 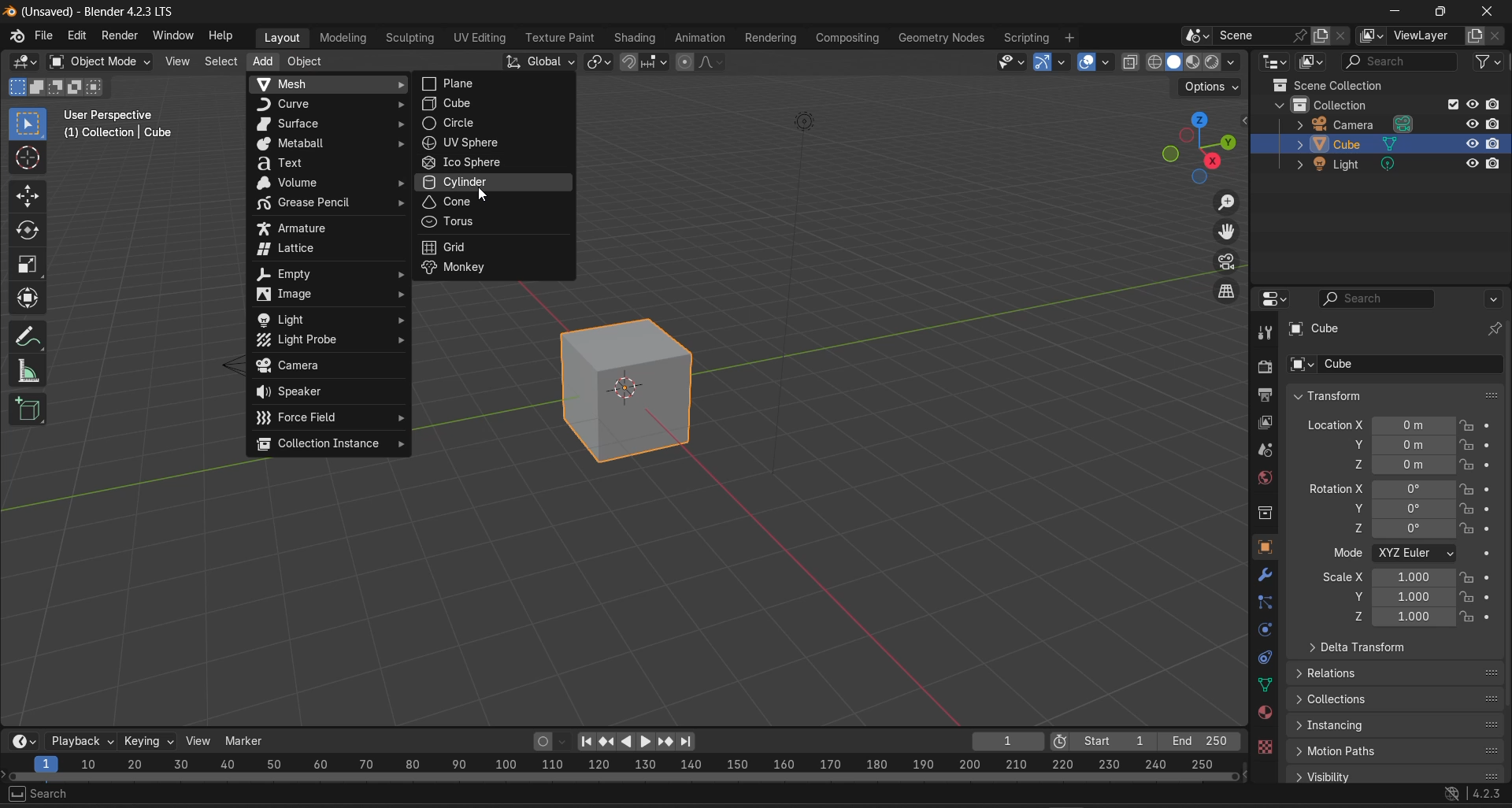 I want to click on scripting, so click(x=1026, y=35).